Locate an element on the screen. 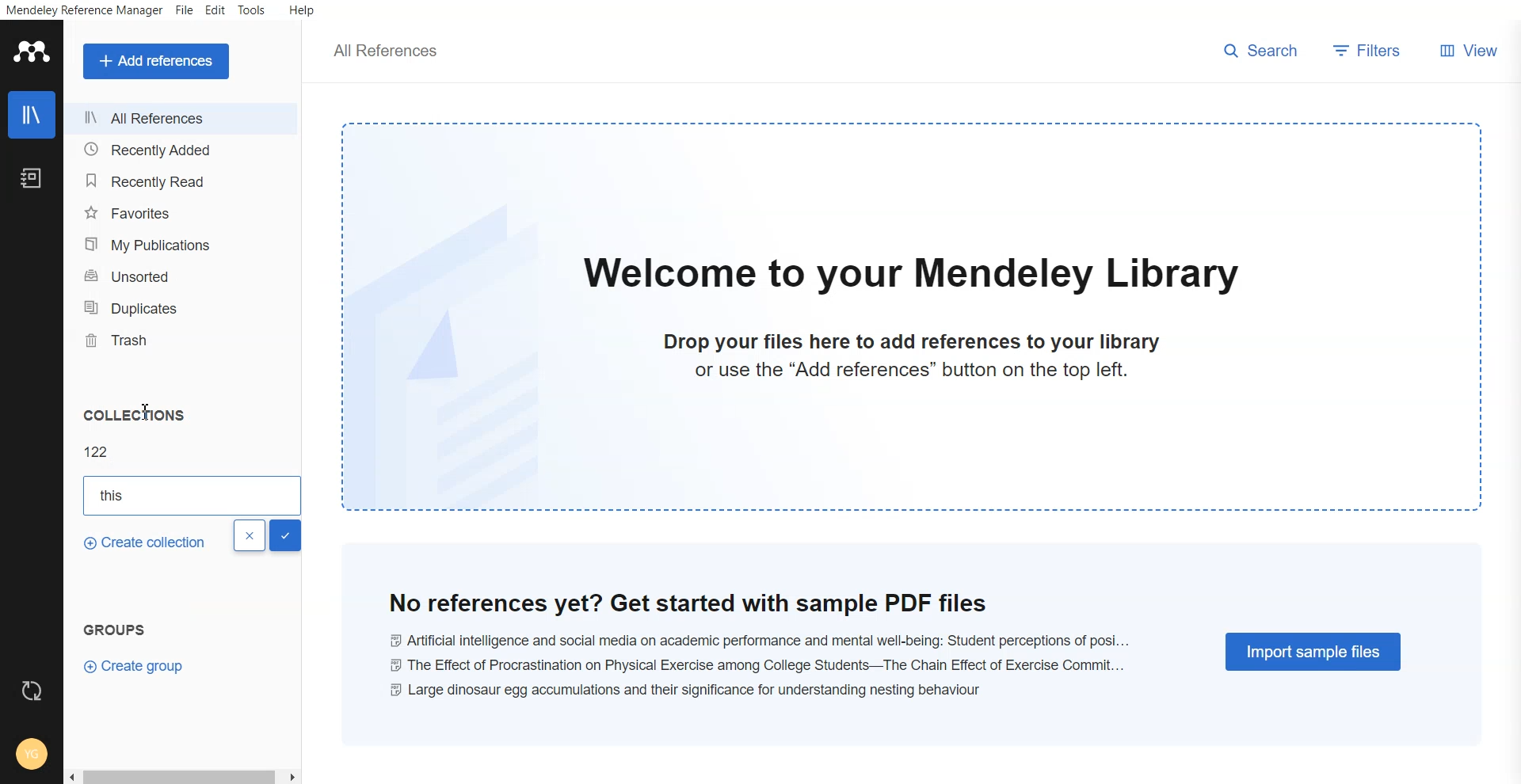 This screenshot has width=1521, height=784. Ai and social media on academic performance and mental well-being: student perceptions of posi... is located at coordinates (760, 637).